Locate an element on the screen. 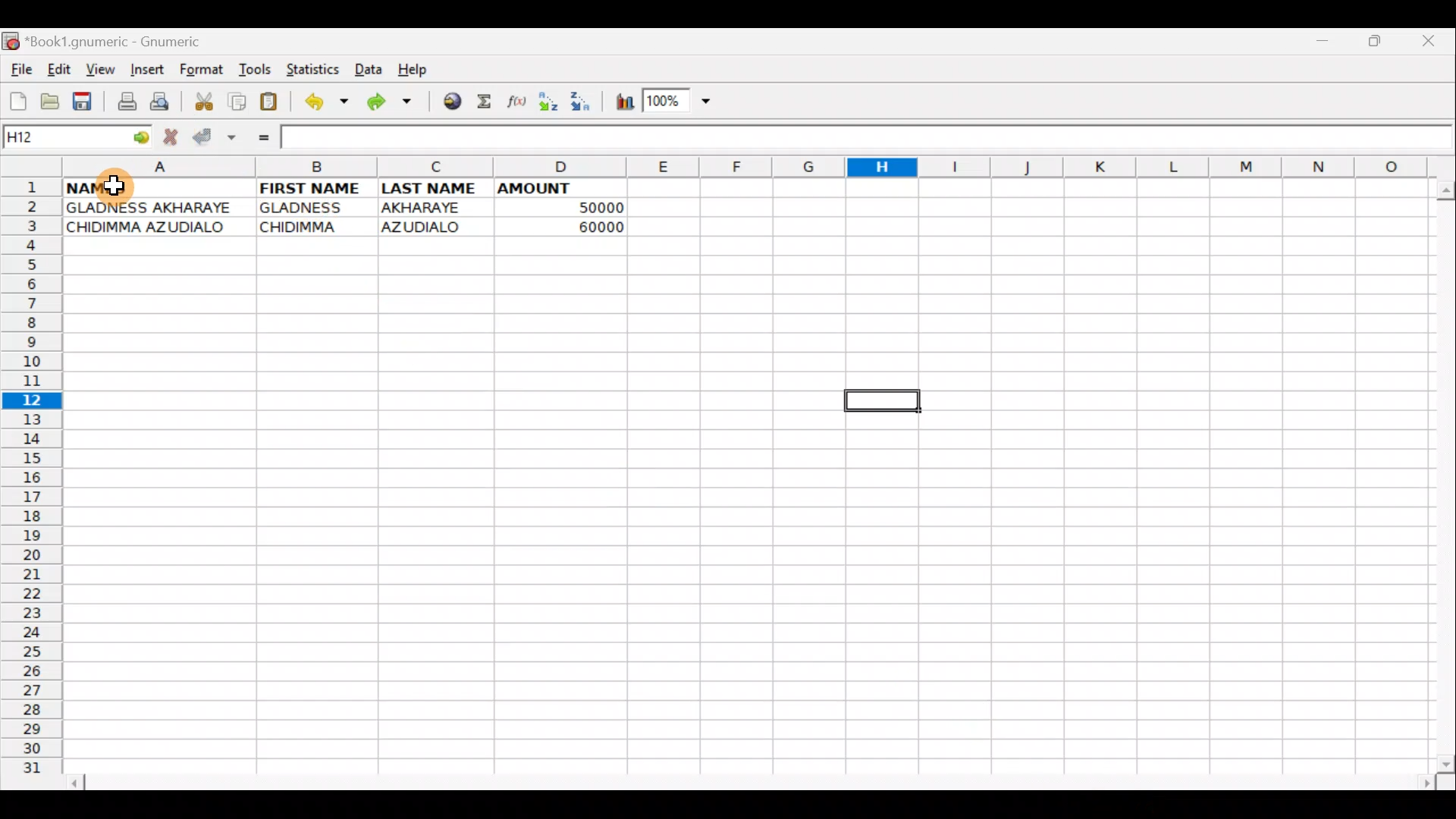 This screenshot has width=1456, height=819. Format is located at coordinates (206, 71).